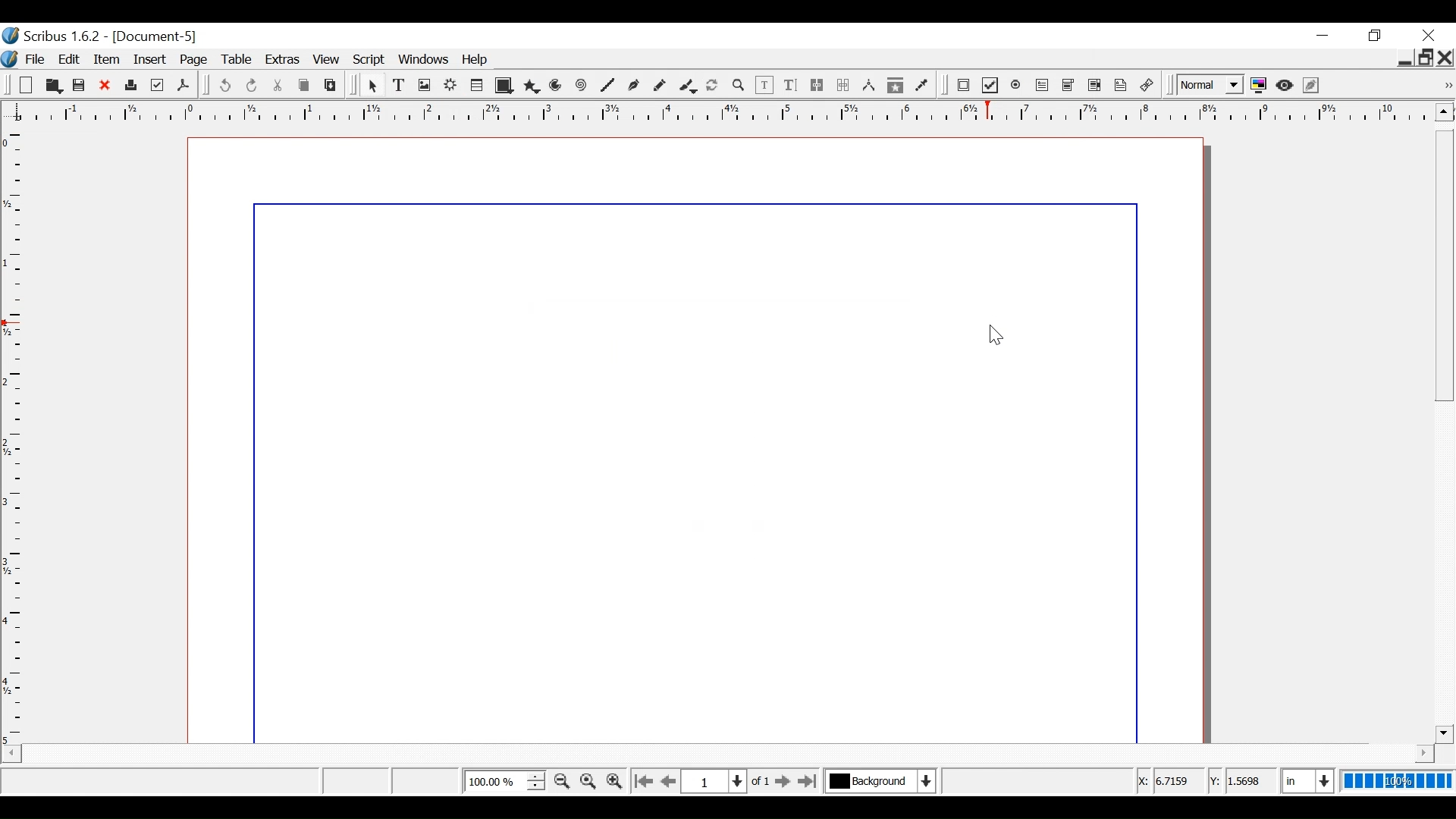 The image size is (1456, 819). I want to click on Unlink text frame, so click(843, 86).